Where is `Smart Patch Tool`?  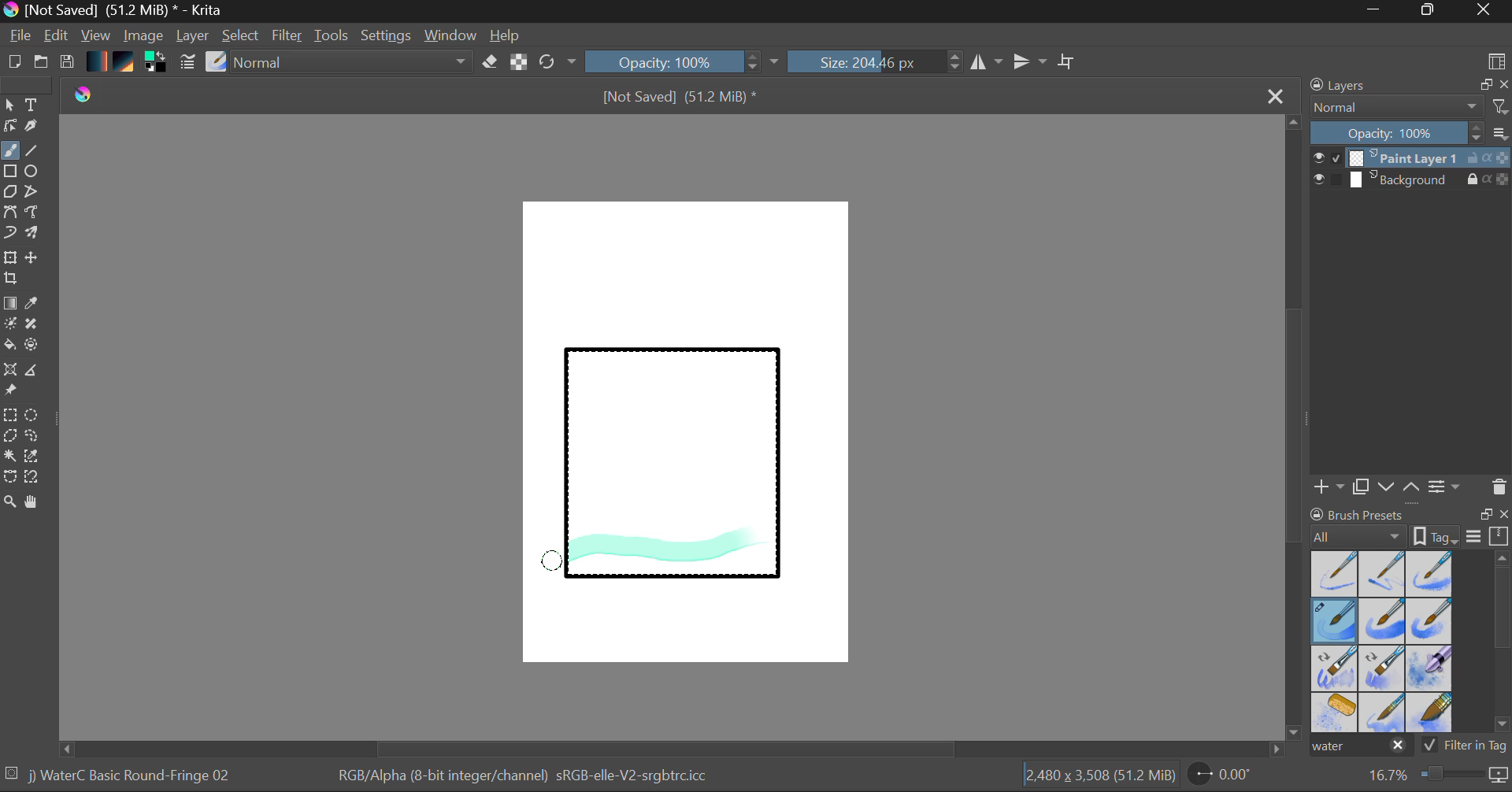 Smart Patch Tool is located at coordinates (37, 327).